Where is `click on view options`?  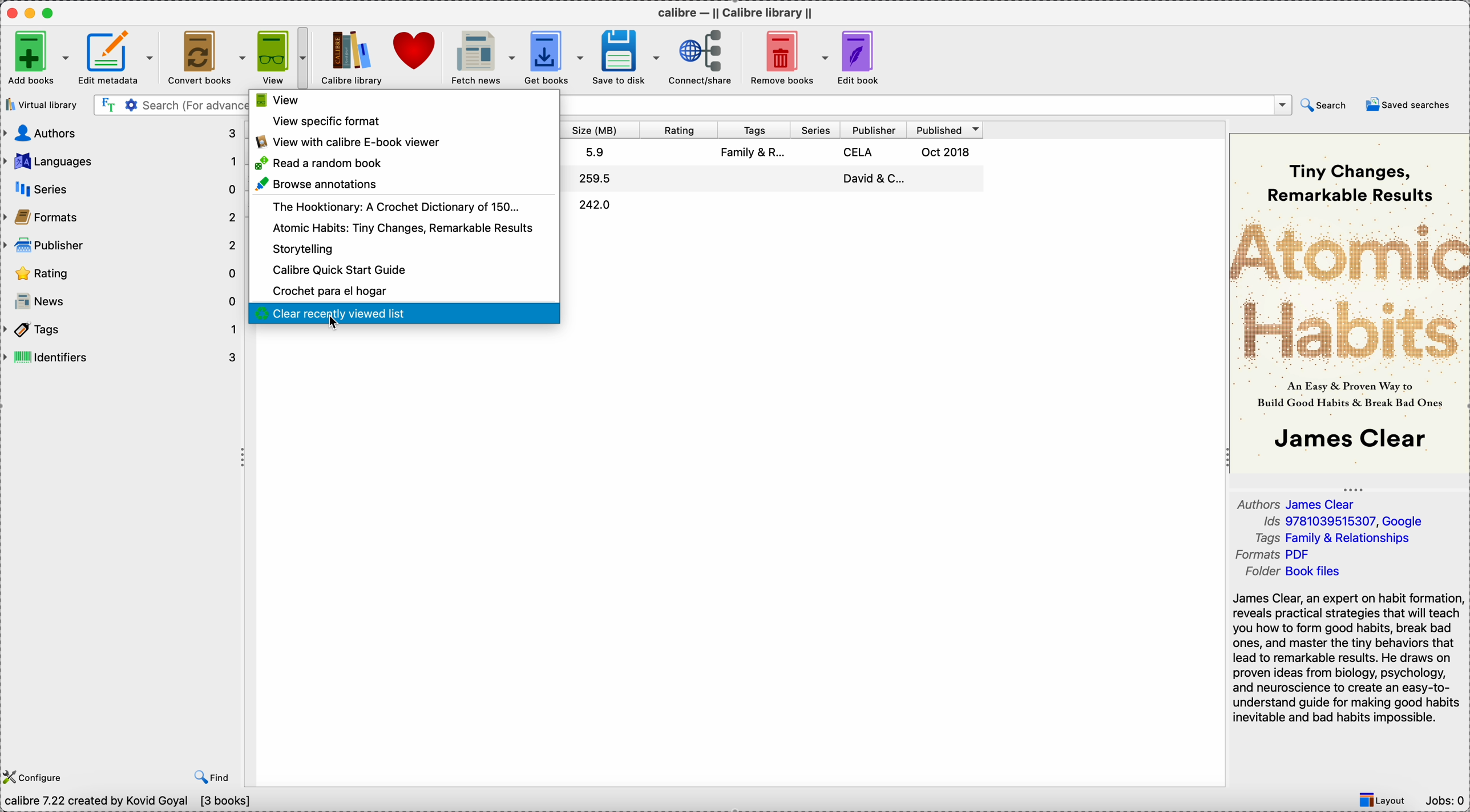
click on view options is located at coordinates (282, 56).